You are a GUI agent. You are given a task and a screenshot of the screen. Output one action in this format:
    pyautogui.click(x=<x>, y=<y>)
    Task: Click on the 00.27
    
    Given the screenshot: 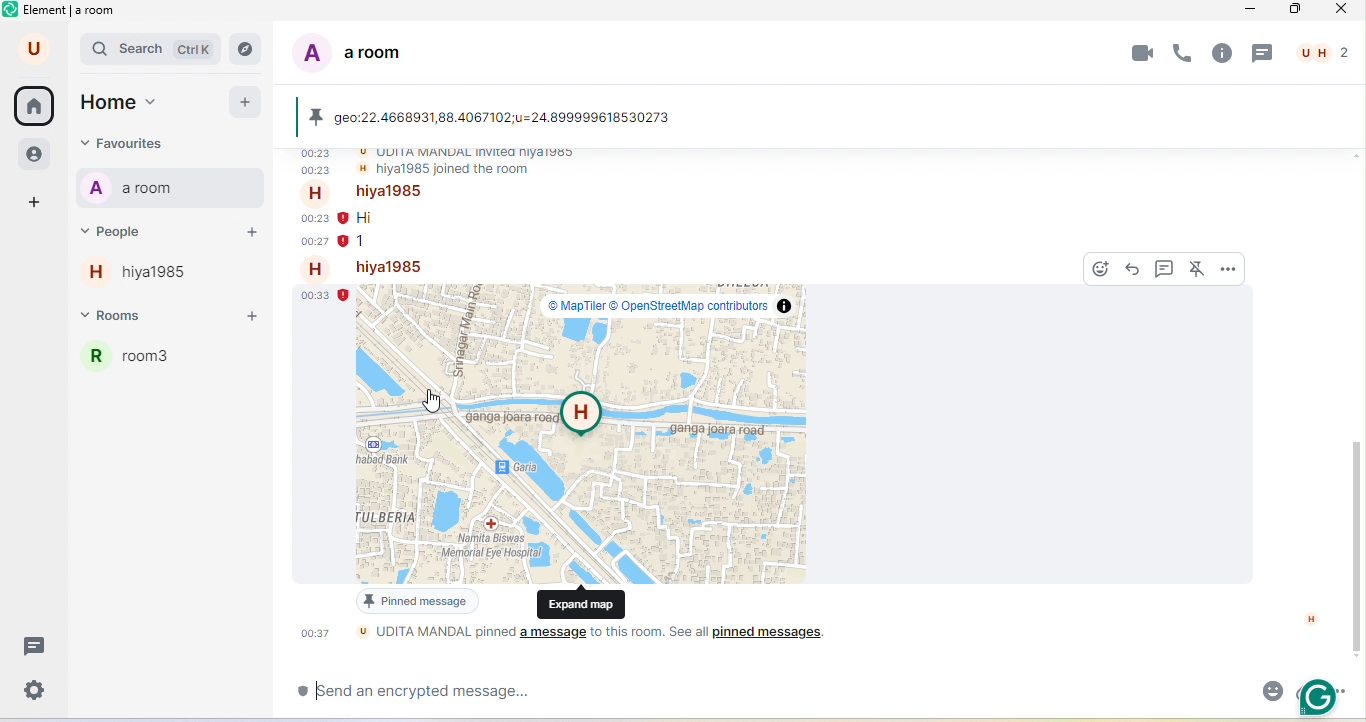 What is the action you would take?
    pyautogui.click(x=313, y=243)
    